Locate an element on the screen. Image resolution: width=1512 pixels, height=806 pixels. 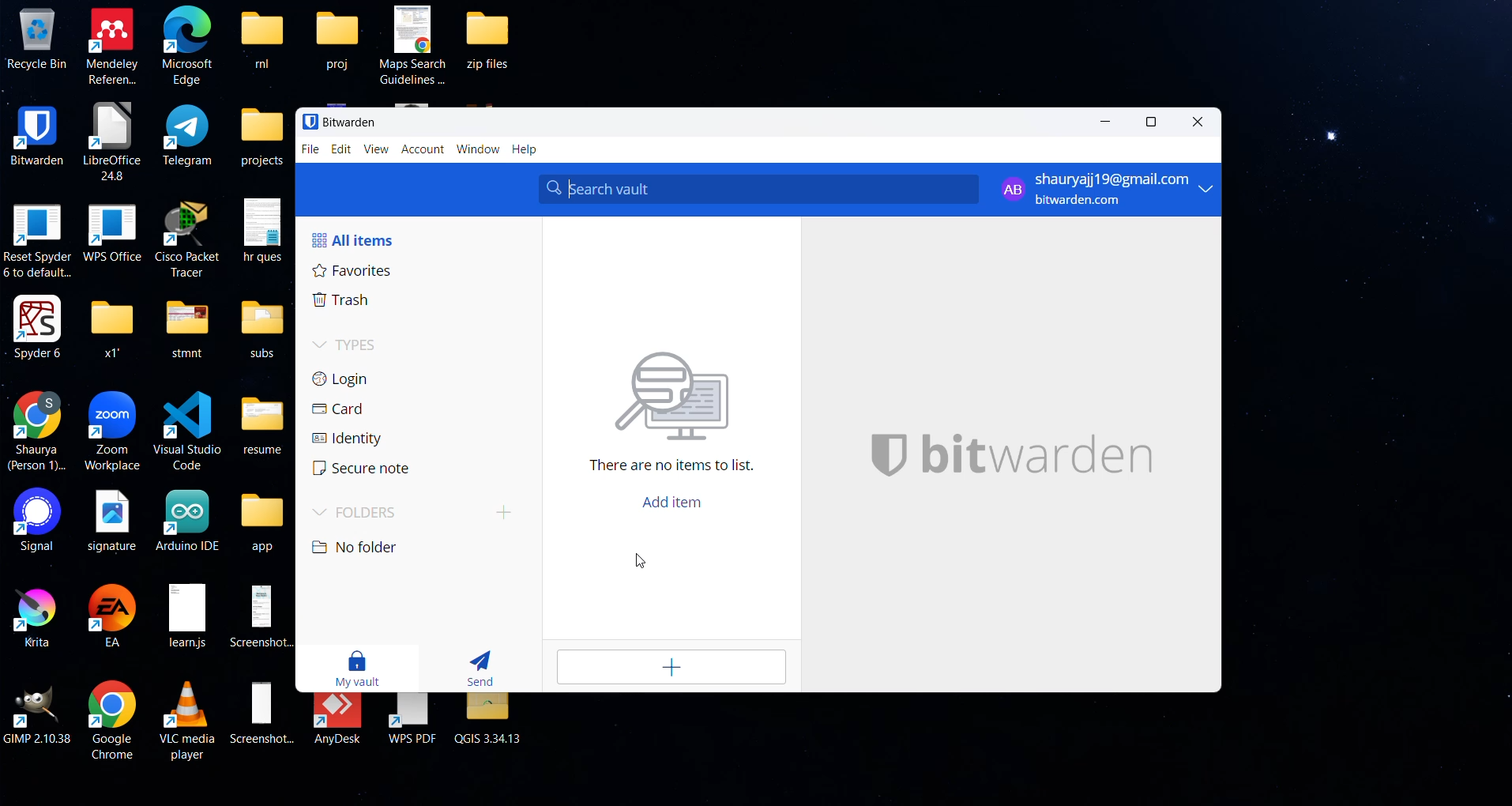
send is located at coordinates (483, 664).